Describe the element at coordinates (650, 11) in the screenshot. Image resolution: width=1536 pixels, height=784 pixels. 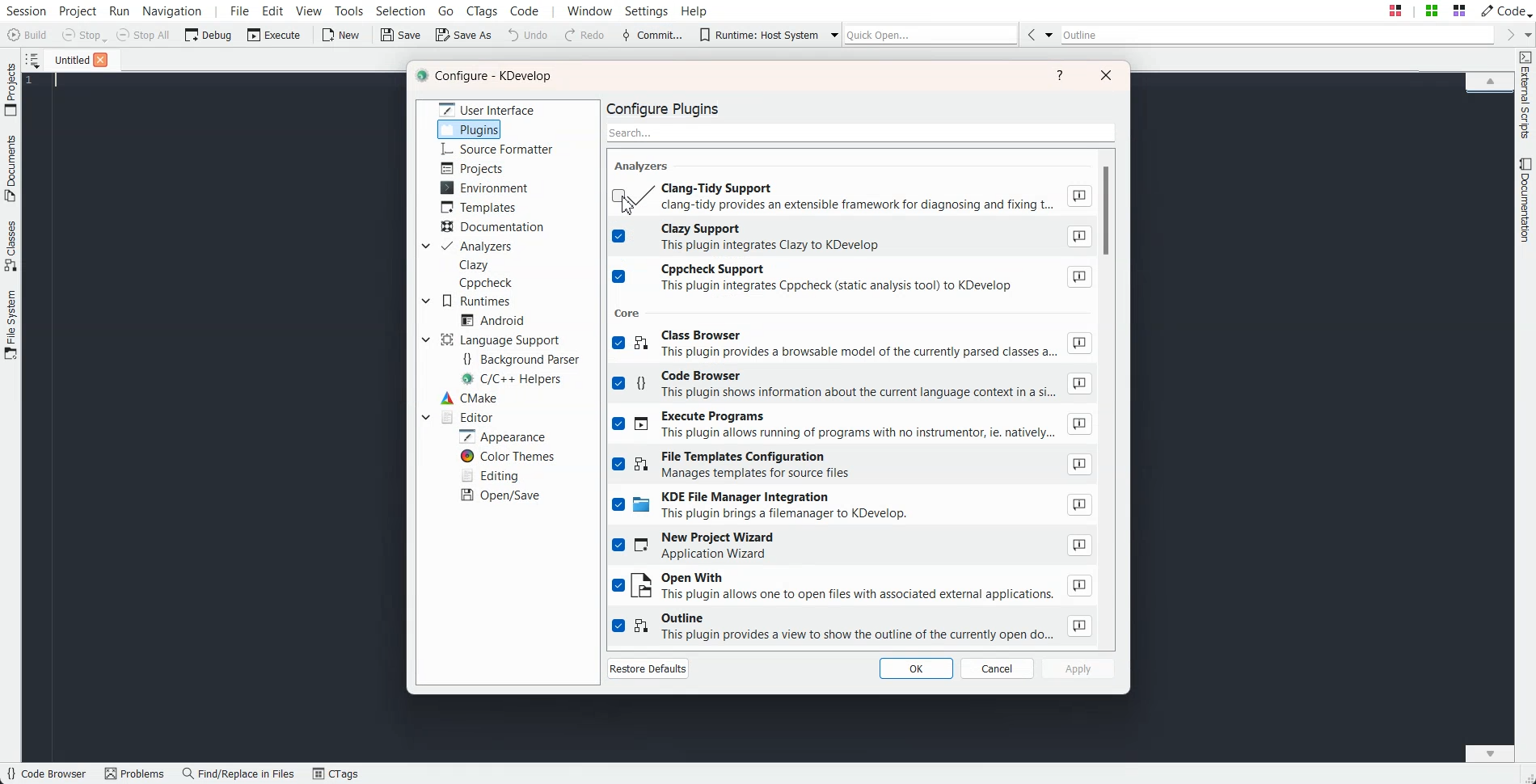
I see `Settings` at that location.